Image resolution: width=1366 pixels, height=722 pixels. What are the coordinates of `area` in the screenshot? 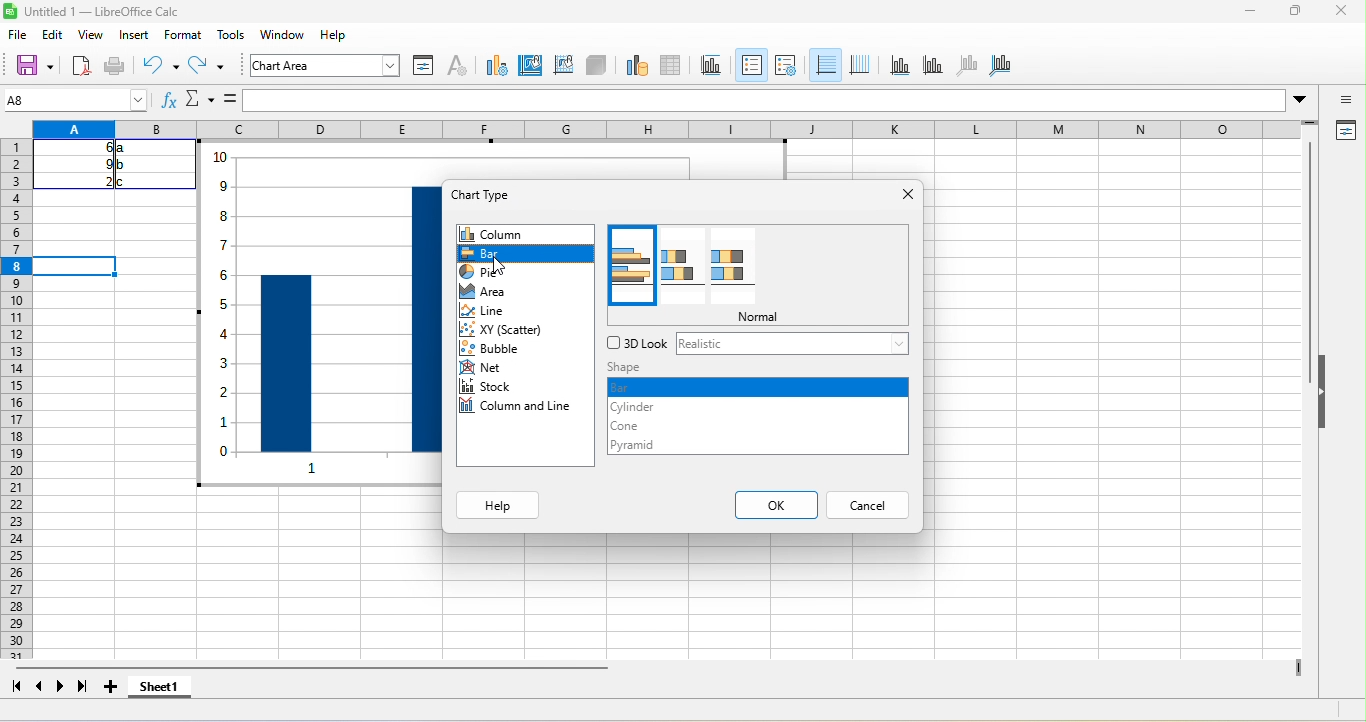 It's located at (495, 292).